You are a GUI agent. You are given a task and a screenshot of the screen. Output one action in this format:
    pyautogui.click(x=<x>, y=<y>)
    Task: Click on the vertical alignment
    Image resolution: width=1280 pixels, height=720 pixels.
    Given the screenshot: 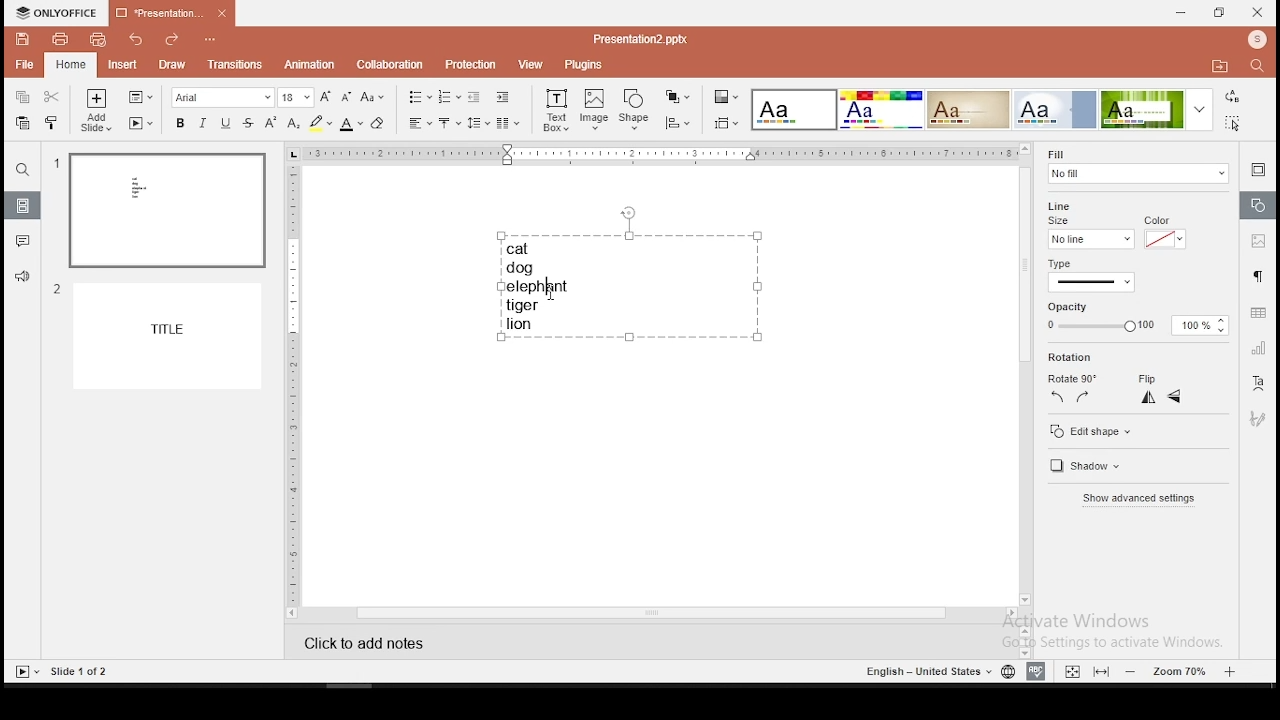 What is the action you would take?
    pyautogui.click(x=449, y=122)
    